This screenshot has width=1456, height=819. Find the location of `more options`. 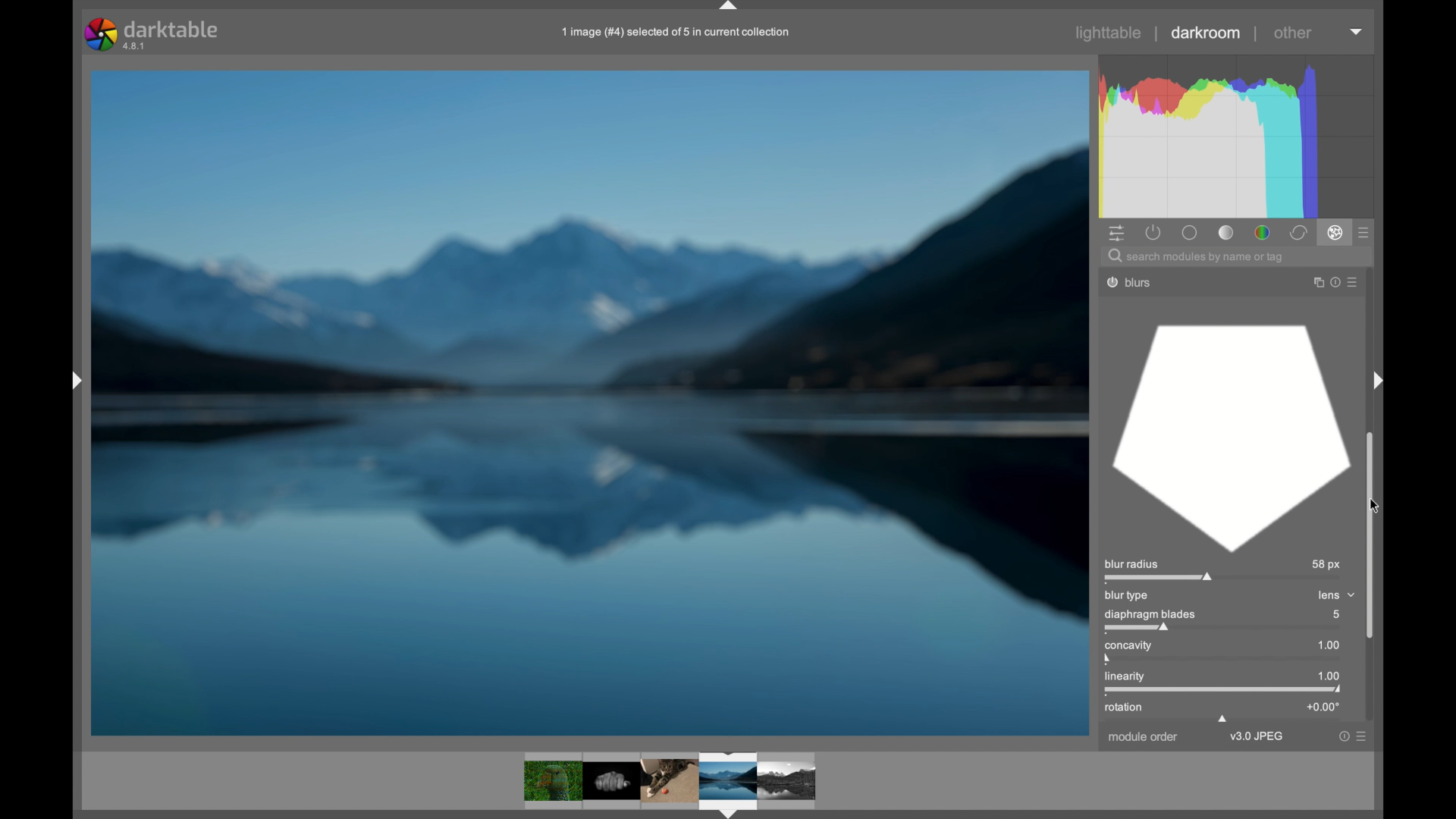

more options is located at coordinates (1363, 736).